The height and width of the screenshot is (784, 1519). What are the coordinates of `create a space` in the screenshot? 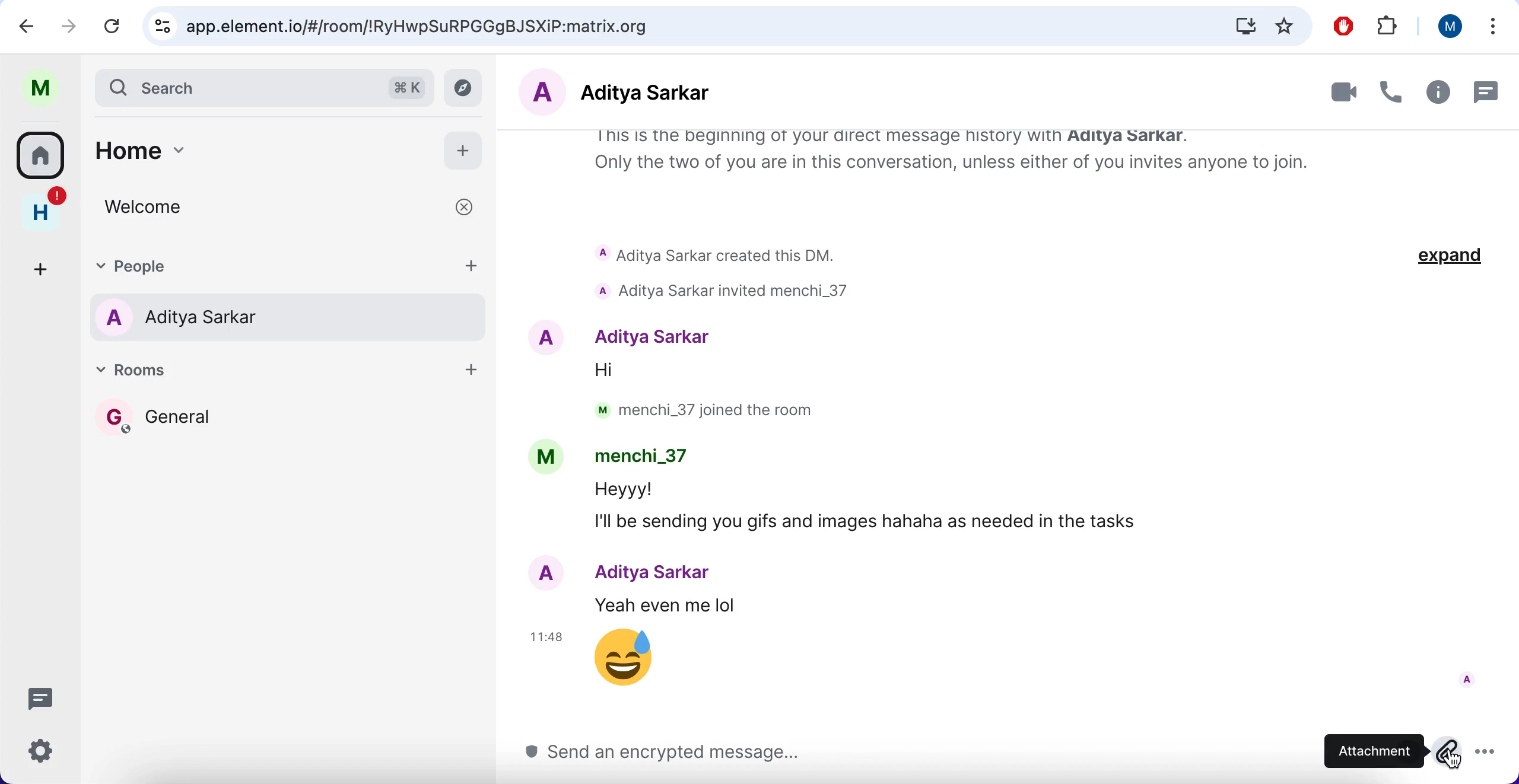 It's located at (37, 266).